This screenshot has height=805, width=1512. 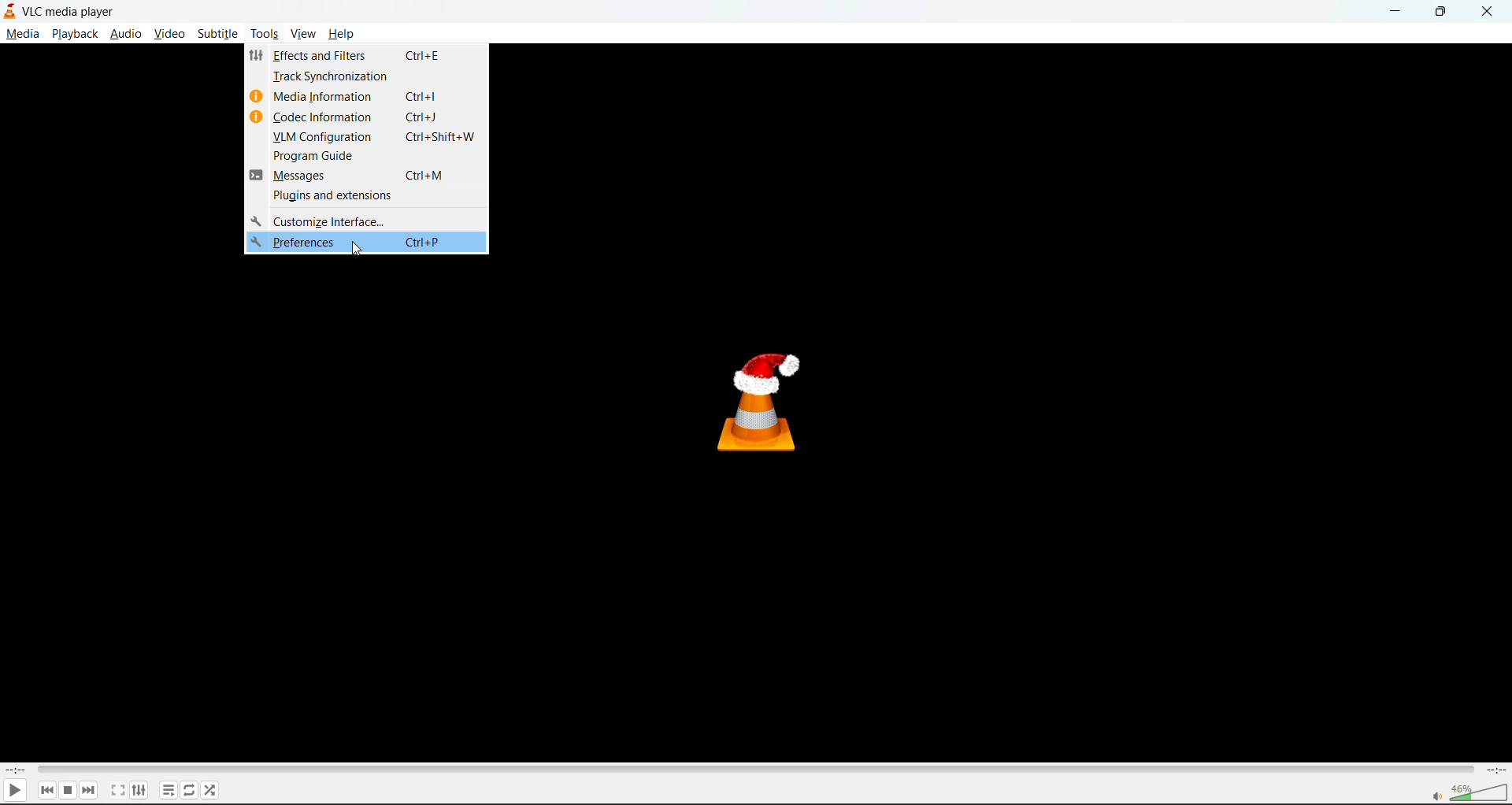 I want to click on media, so click(x=20, y=33).